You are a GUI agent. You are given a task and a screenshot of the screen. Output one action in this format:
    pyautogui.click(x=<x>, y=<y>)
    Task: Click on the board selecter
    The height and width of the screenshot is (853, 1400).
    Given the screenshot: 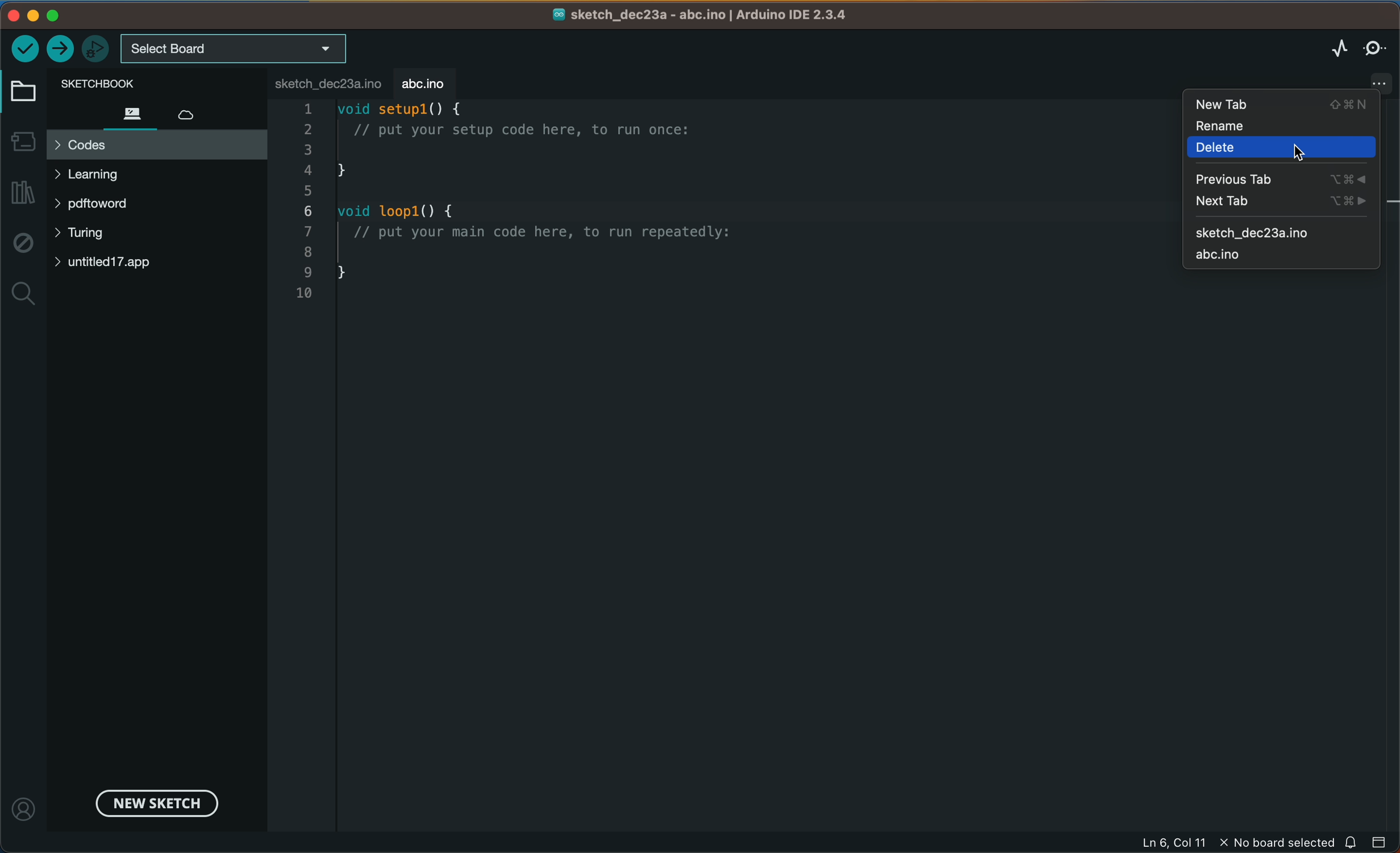 What is the action you would take?
    pyautogui.click(x=233, y=48)
    